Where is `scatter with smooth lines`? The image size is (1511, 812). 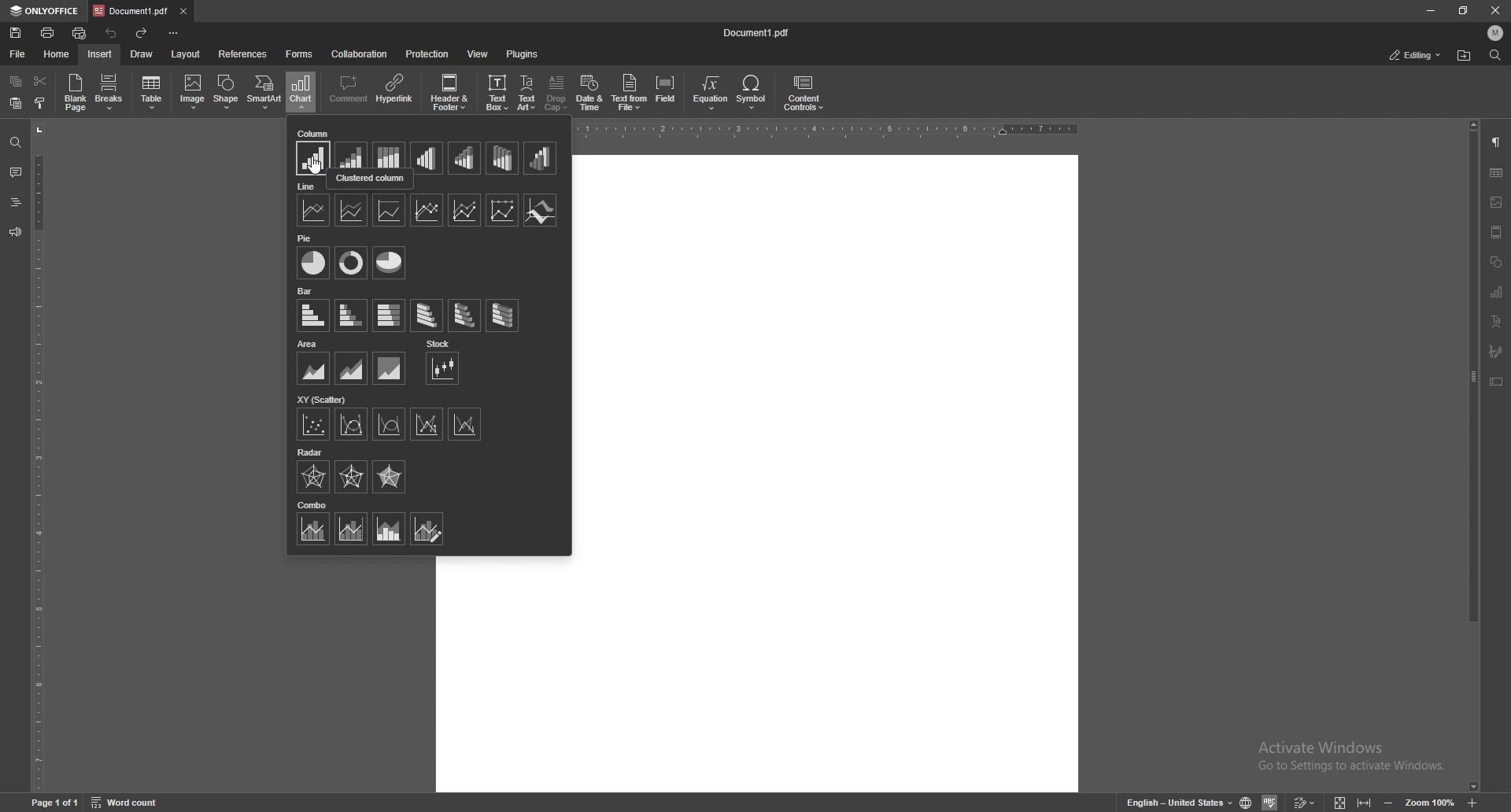 scatter with smooth lines is located at coordinates (390, 424).